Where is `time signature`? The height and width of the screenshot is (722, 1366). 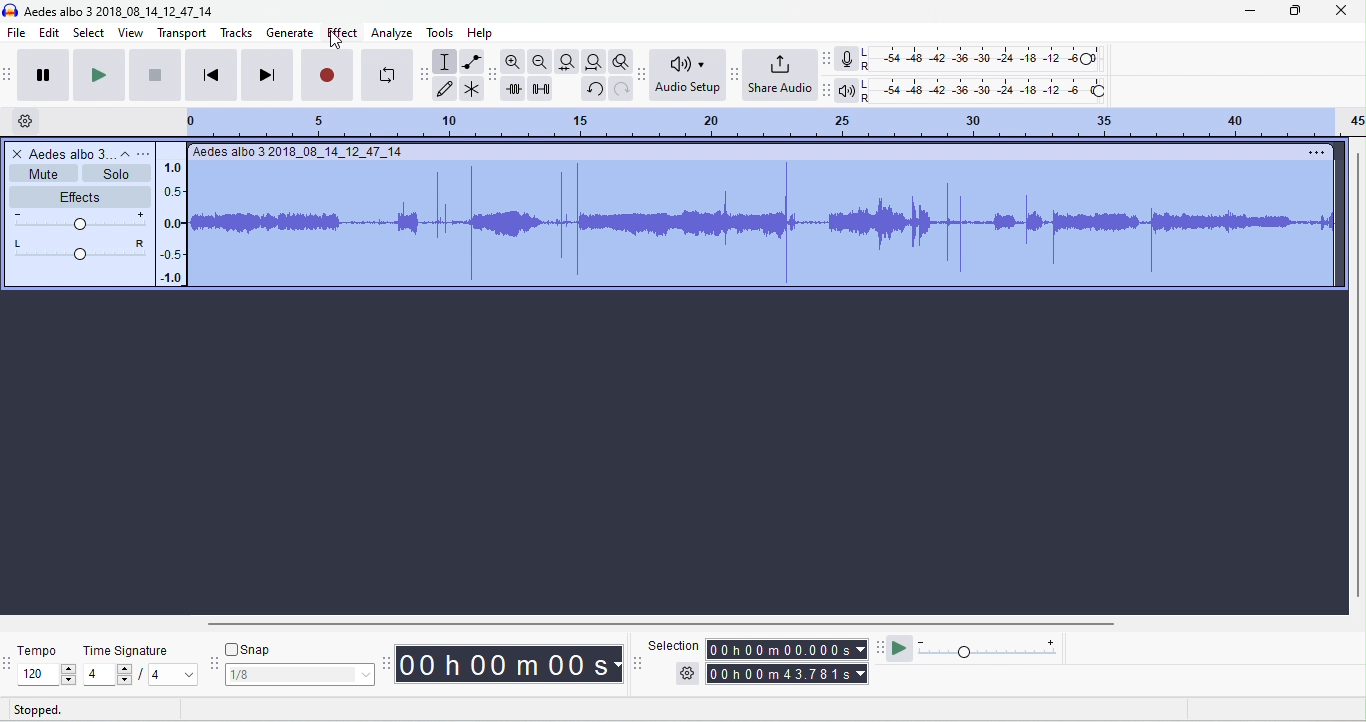 time signature is located at coordinates (127, 650).